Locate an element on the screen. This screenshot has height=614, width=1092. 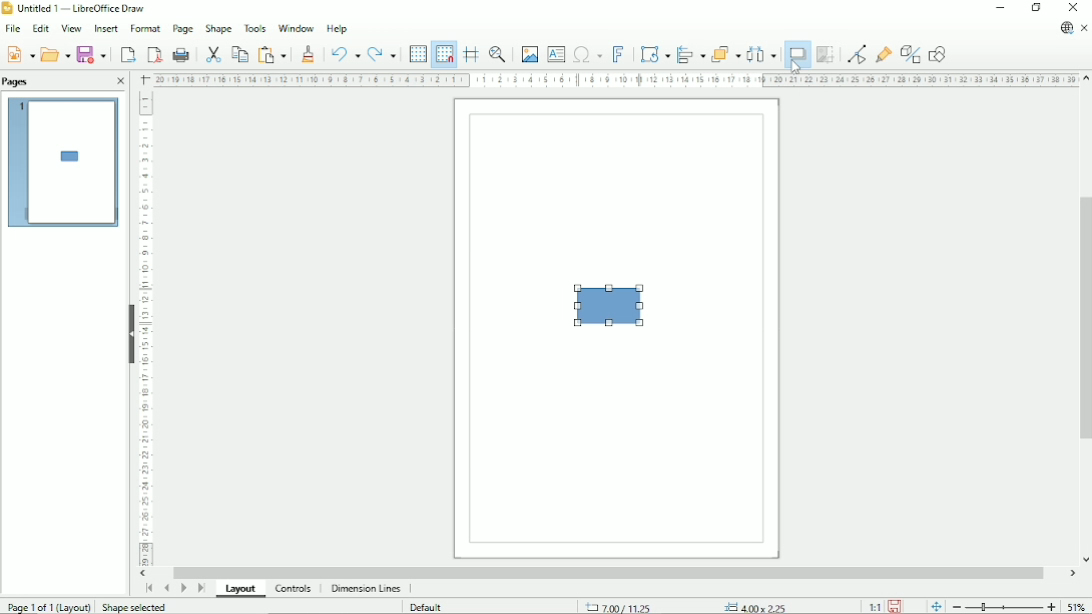
Close is located at coordinates (120, 81).